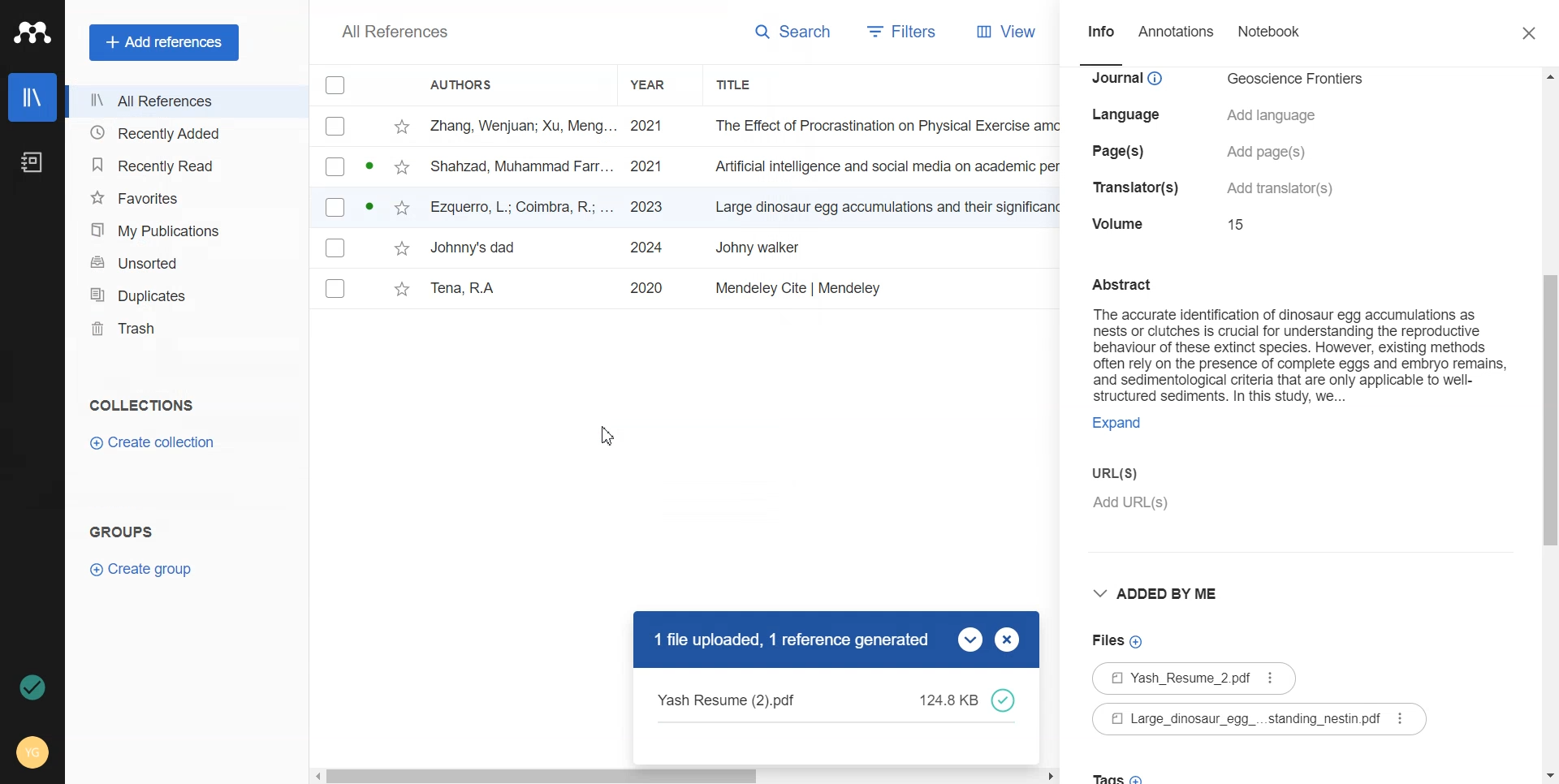  I want to click on Text, so click(817, 701).